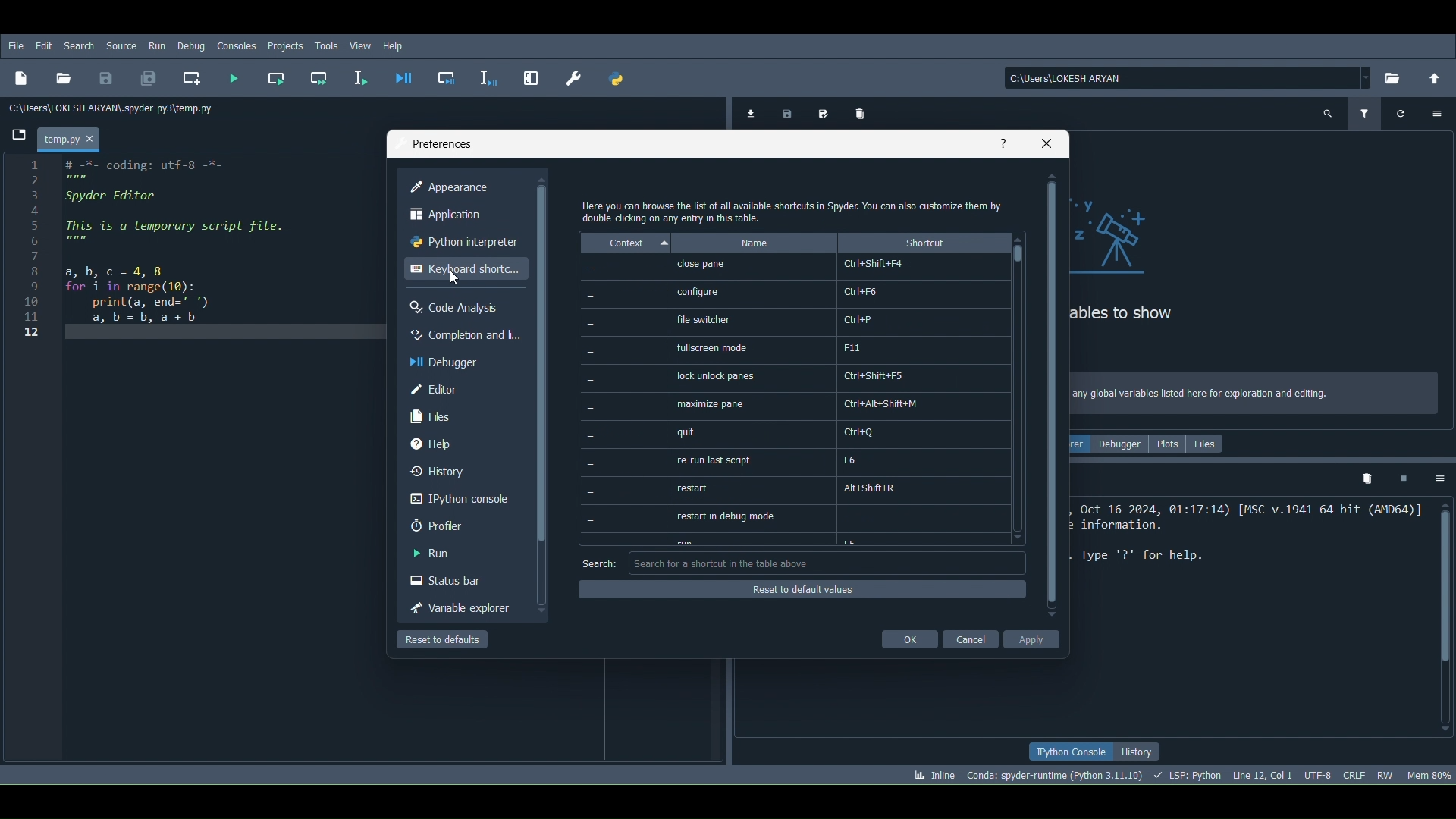  What do you see at coordinates (16, 138) in the screenshot?
I see `Browse tabs` at bounding box center [16, 138].